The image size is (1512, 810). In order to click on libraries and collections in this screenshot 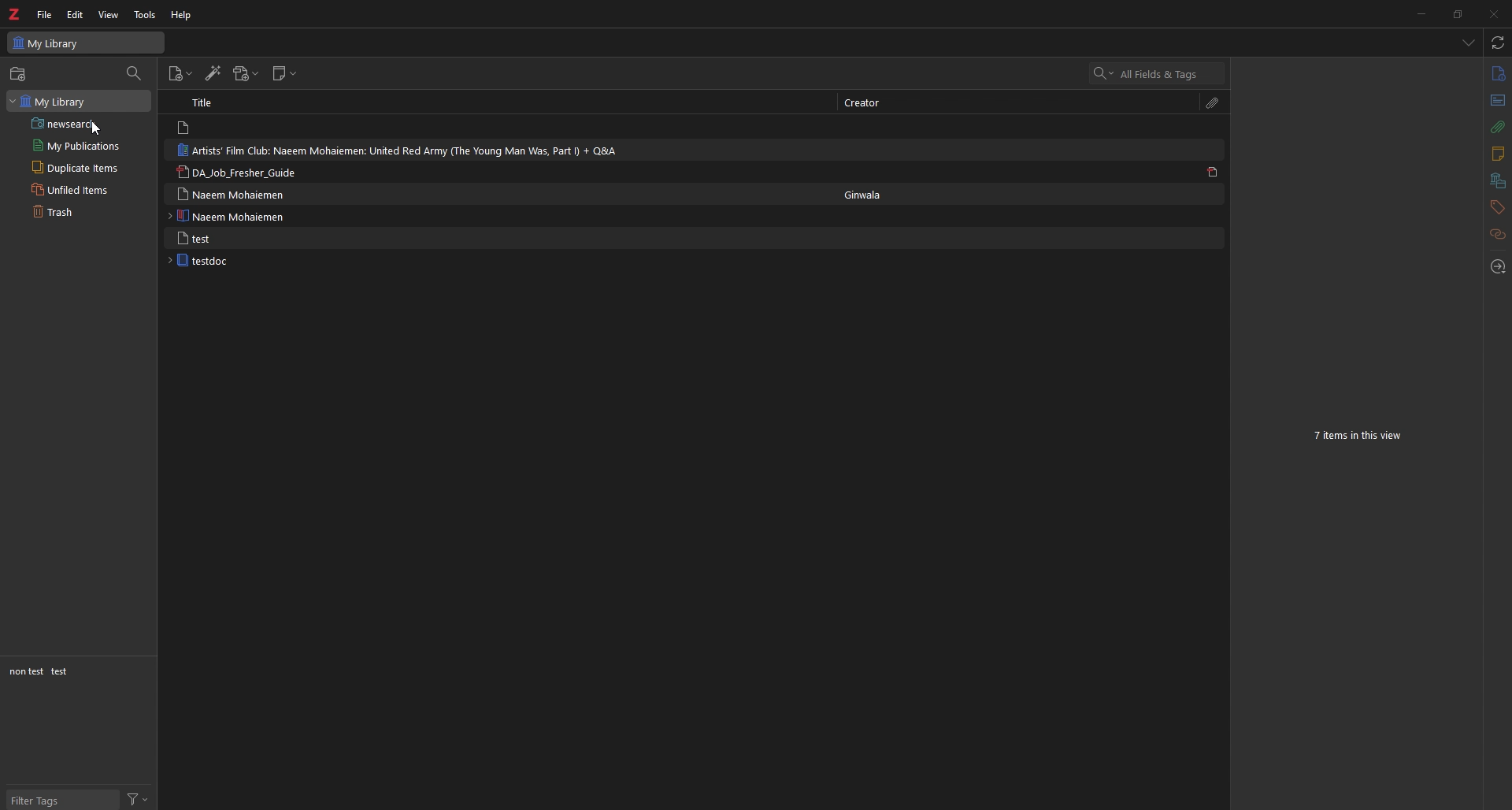, I will do `click(1499, 180)`.